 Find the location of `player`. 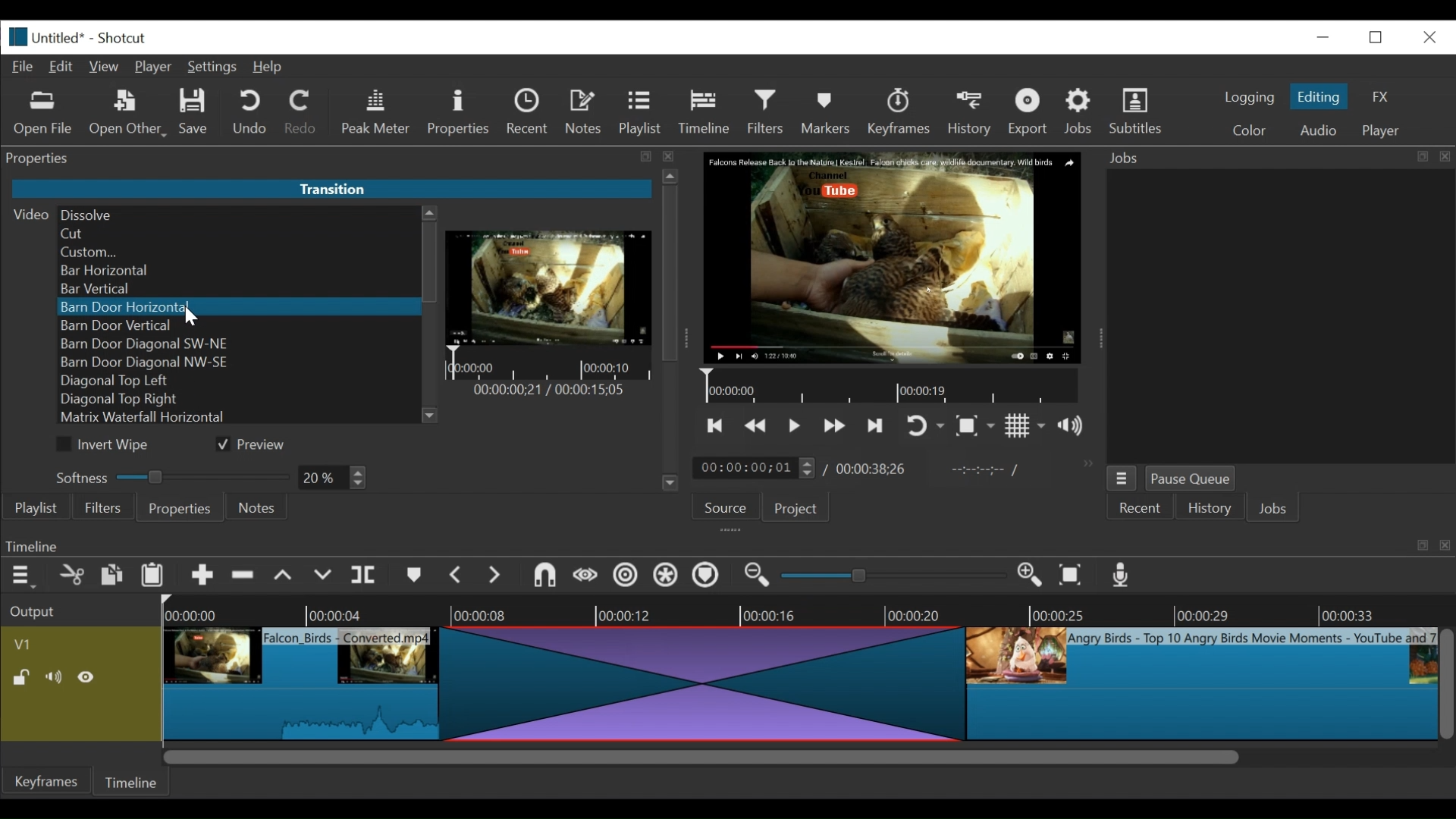

player is located at coordinates (1382, 131).